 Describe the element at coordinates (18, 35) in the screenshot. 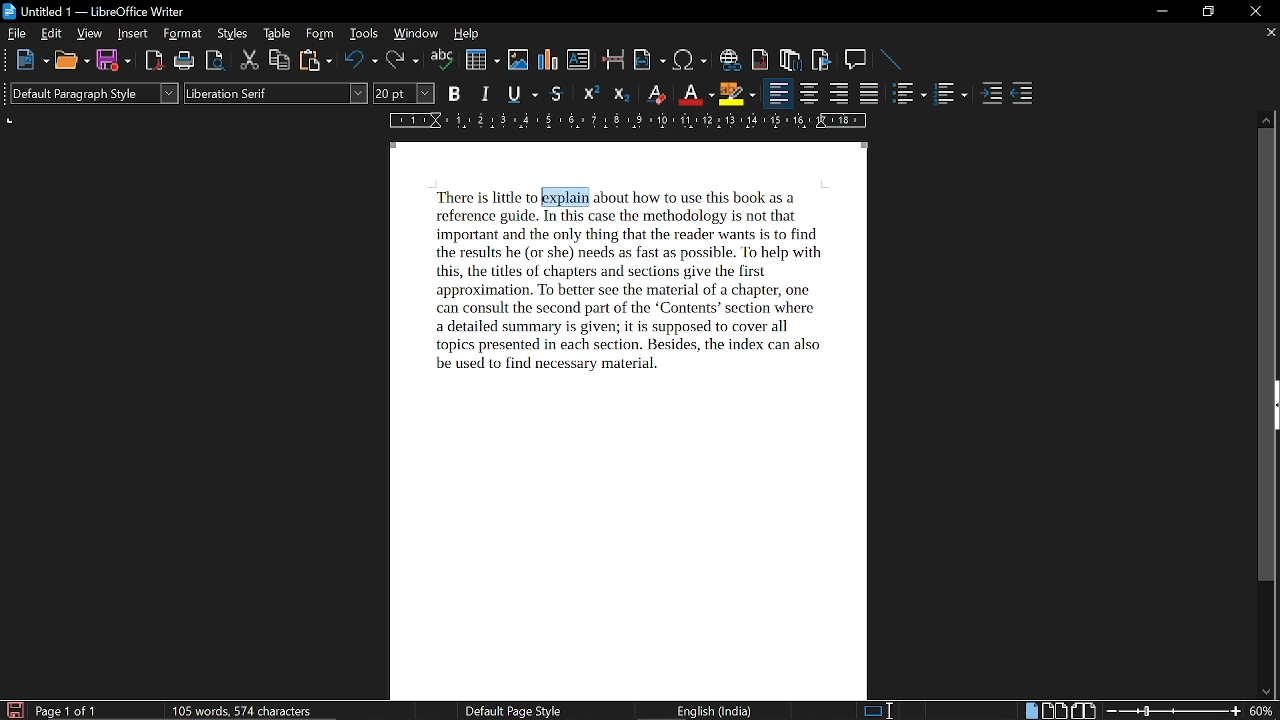

I see `file` at that location.